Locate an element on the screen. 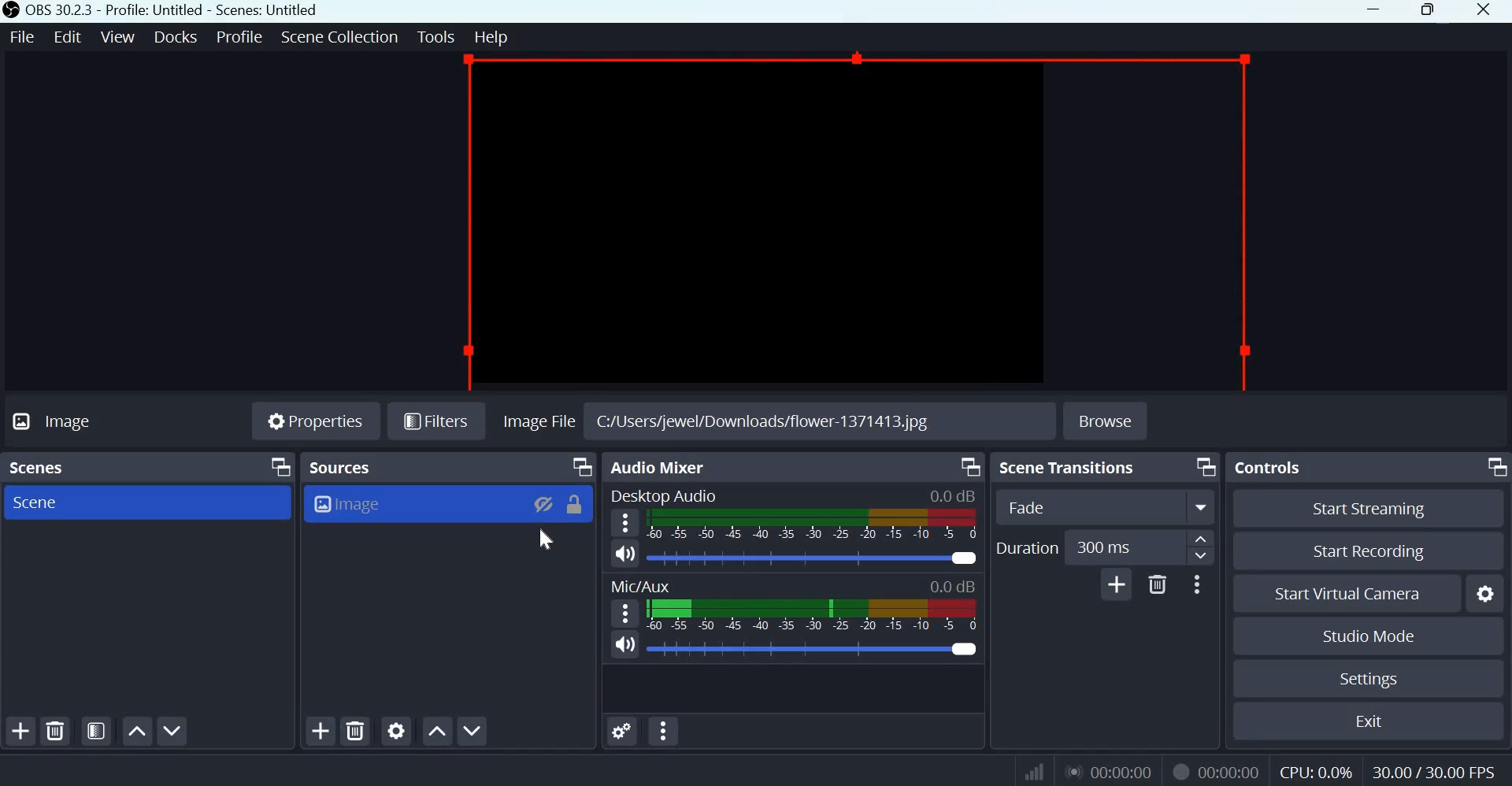  Remove selected source(s) is located at coordinates (358, 732).